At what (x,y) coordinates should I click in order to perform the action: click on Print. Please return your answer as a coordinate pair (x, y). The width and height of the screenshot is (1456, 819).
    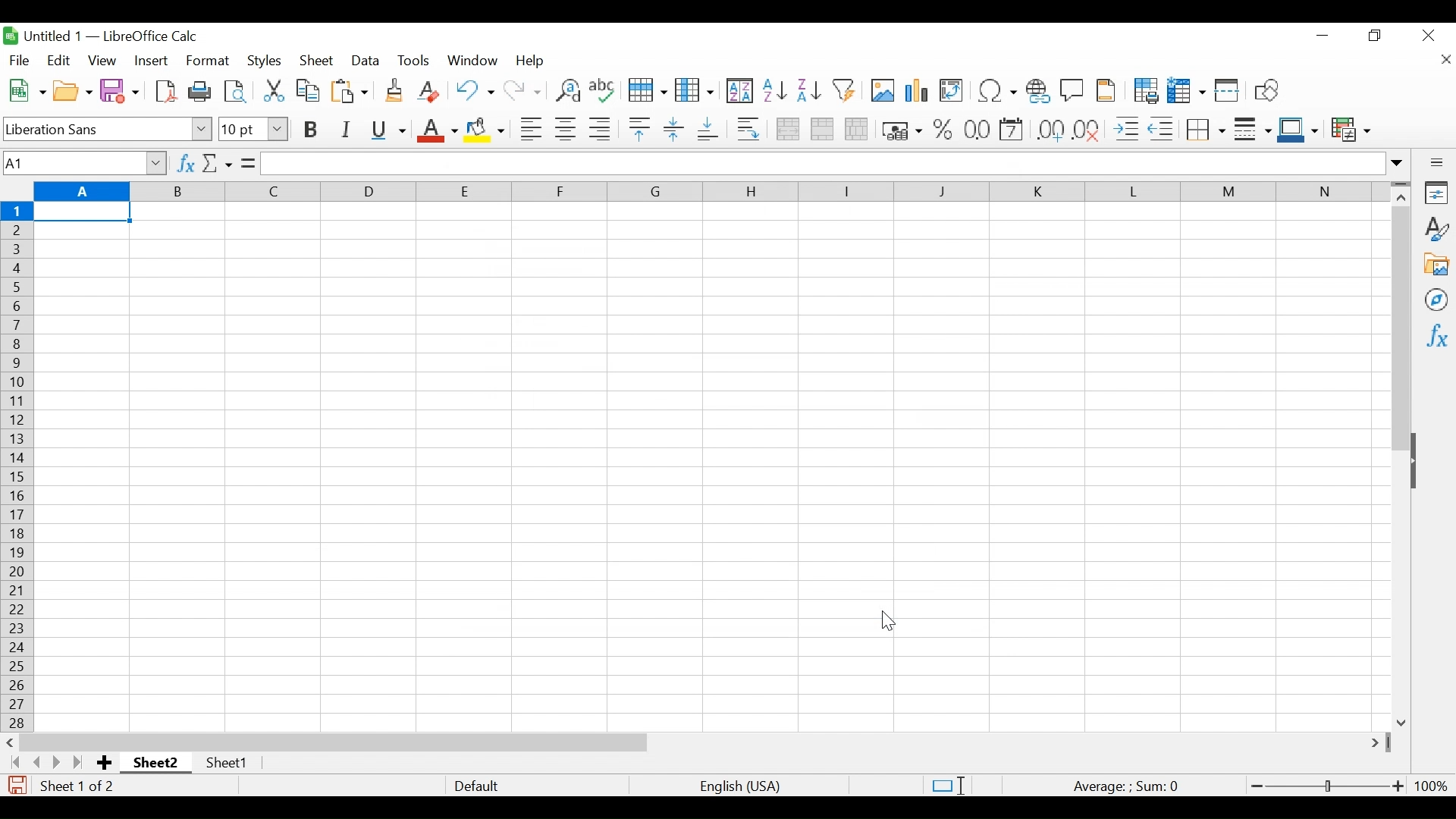
    Looking at the image, I should click on (199, 89).